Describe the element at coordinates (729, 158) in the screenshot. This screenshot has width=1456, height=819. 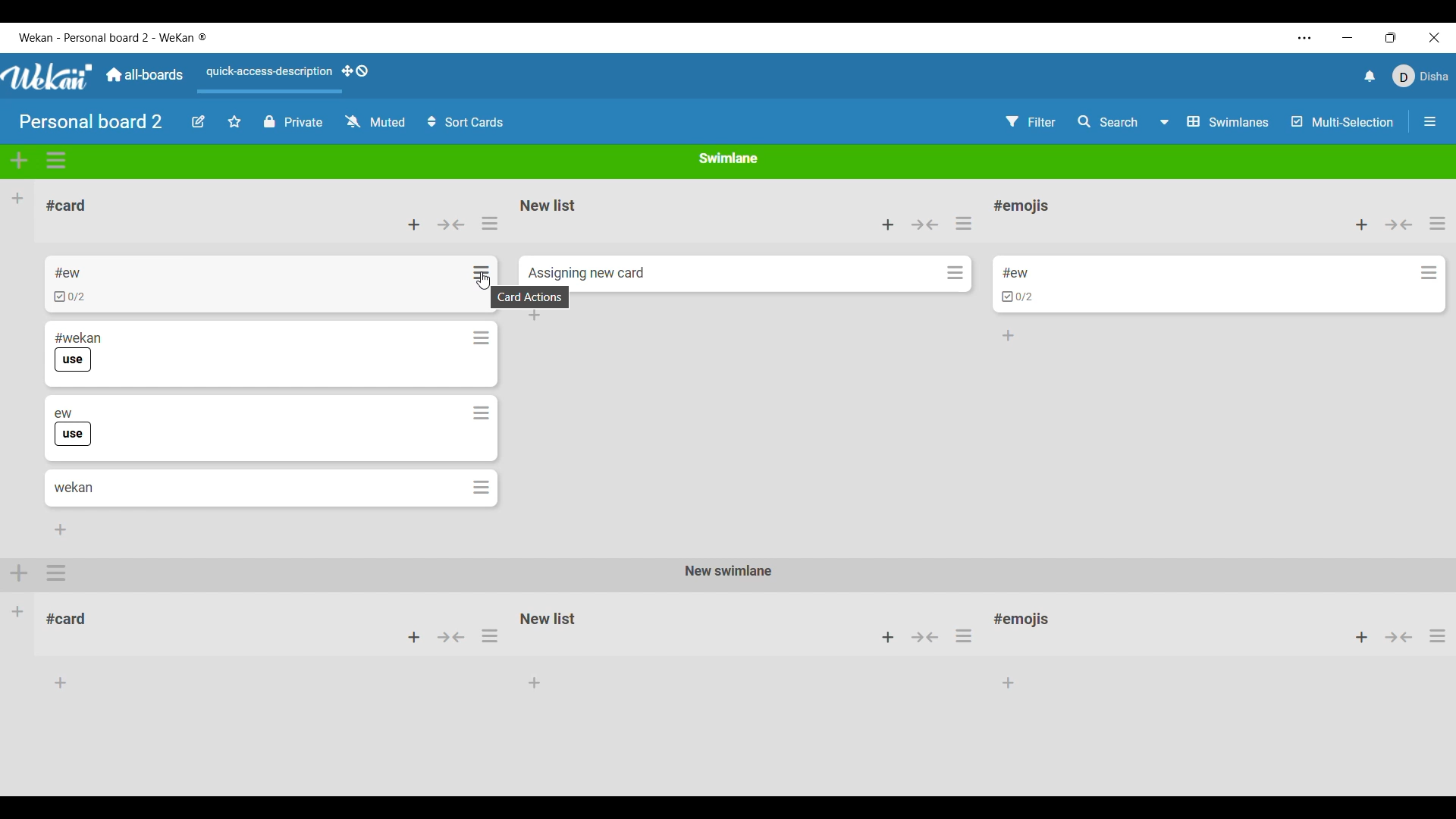
I see `Current swimlane` at that location.